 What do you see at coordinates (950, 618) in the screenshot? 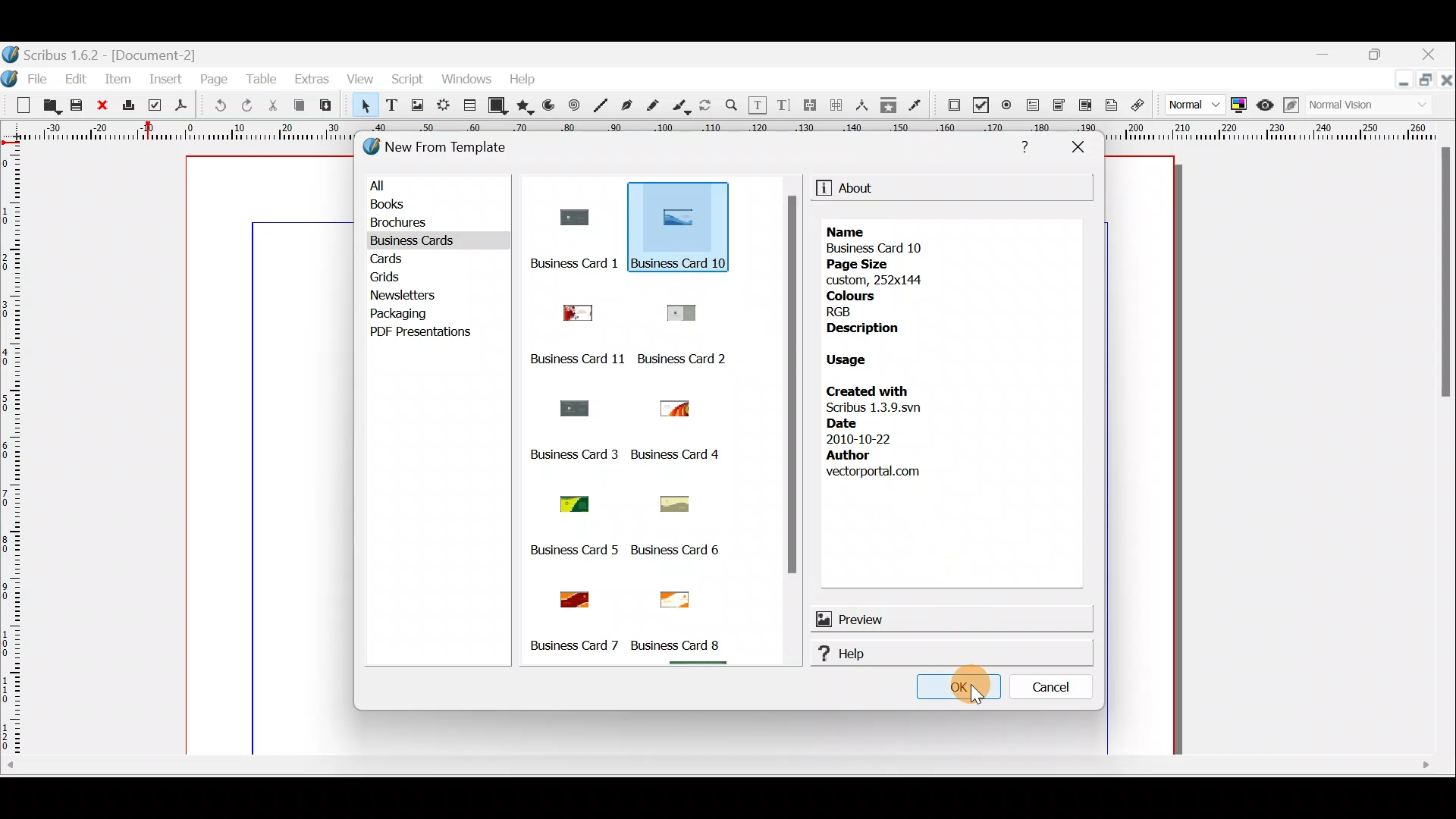
I see `Preview` at bounding box center [950, 618].